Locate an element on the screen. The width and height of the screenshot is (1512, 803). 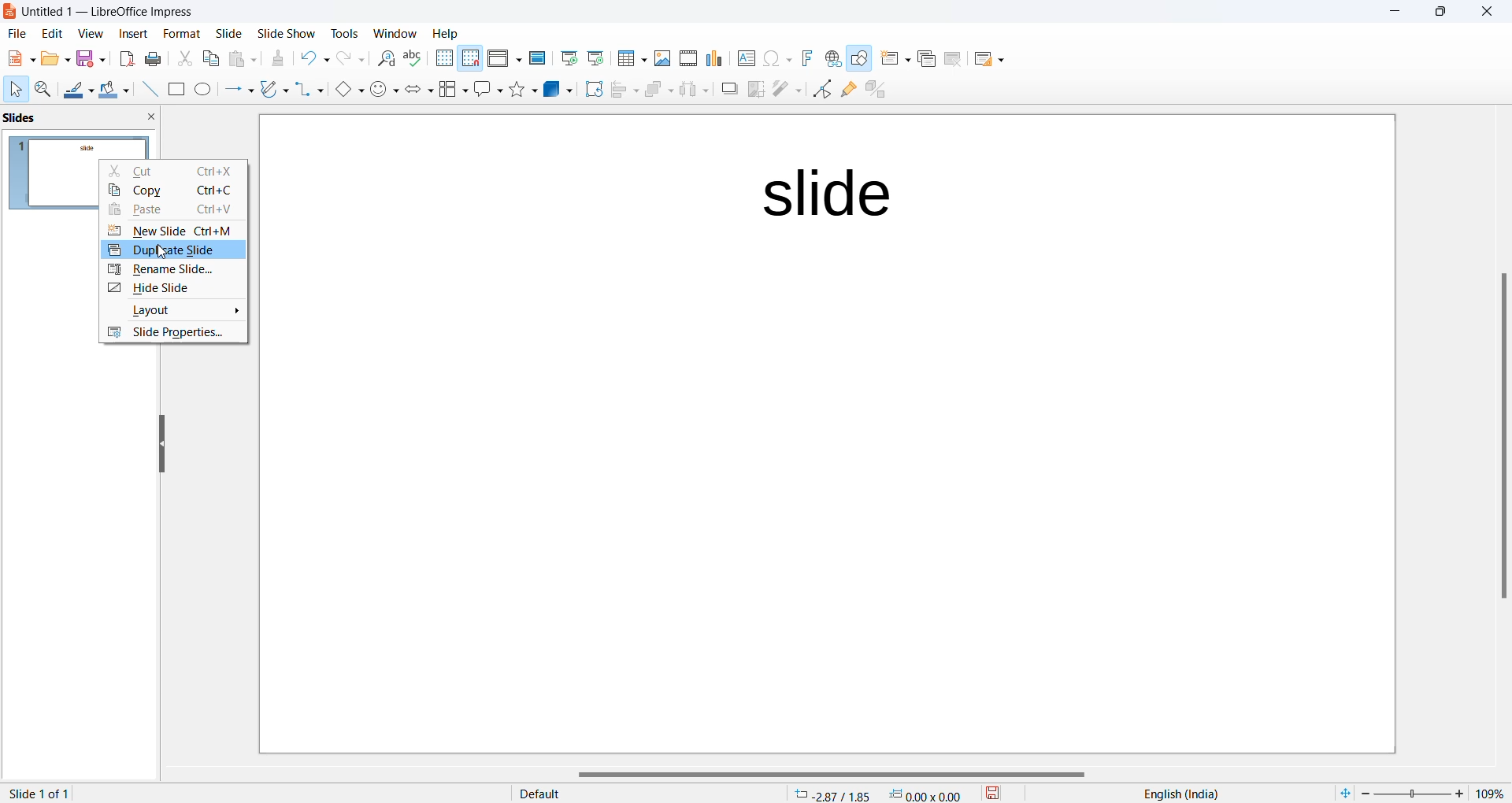
Shadow is located at coordinates (724, 90).